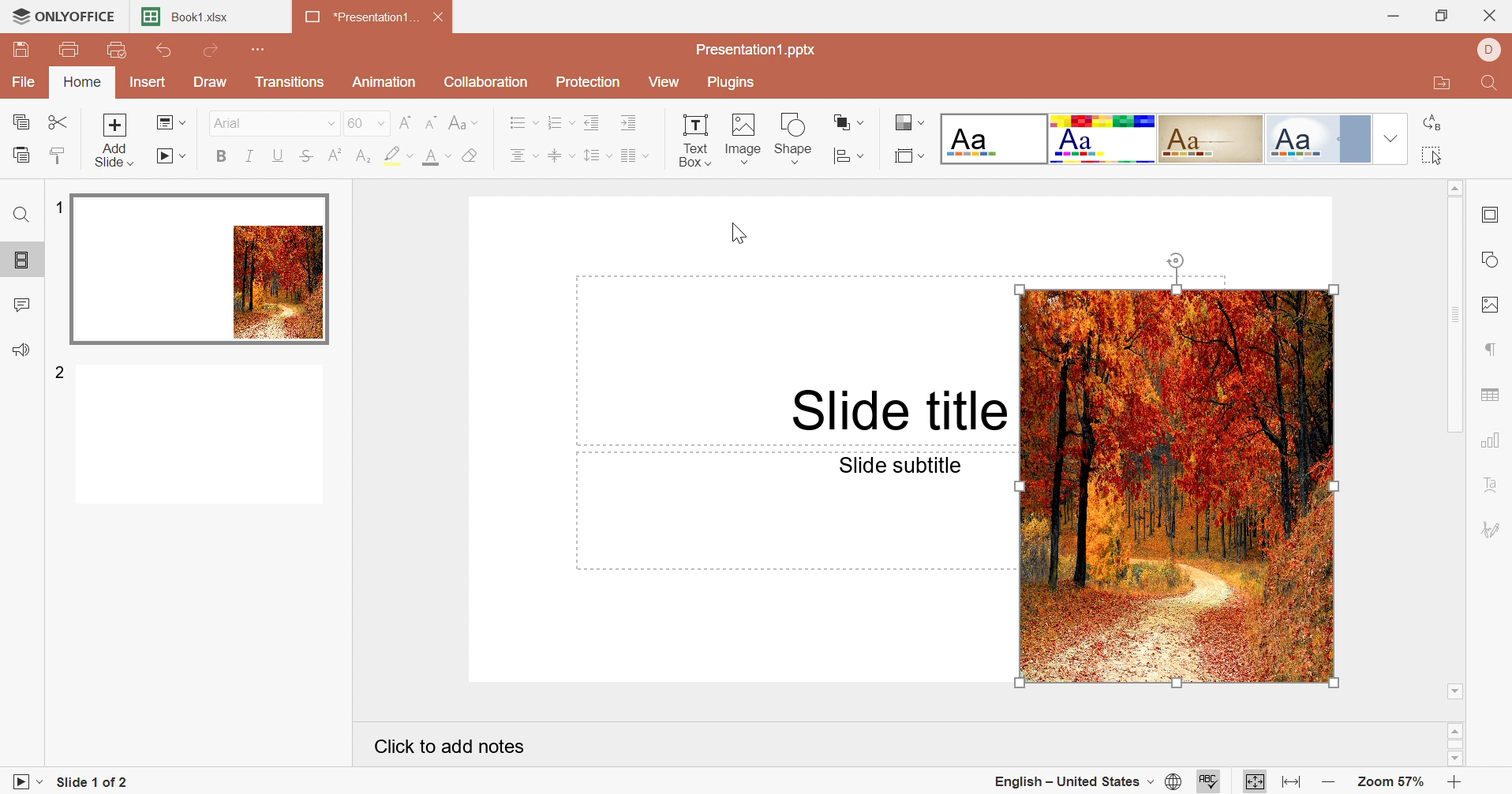 The height and width of the screenshot is (794, 1512). I want to click on View, so click(669, 84).